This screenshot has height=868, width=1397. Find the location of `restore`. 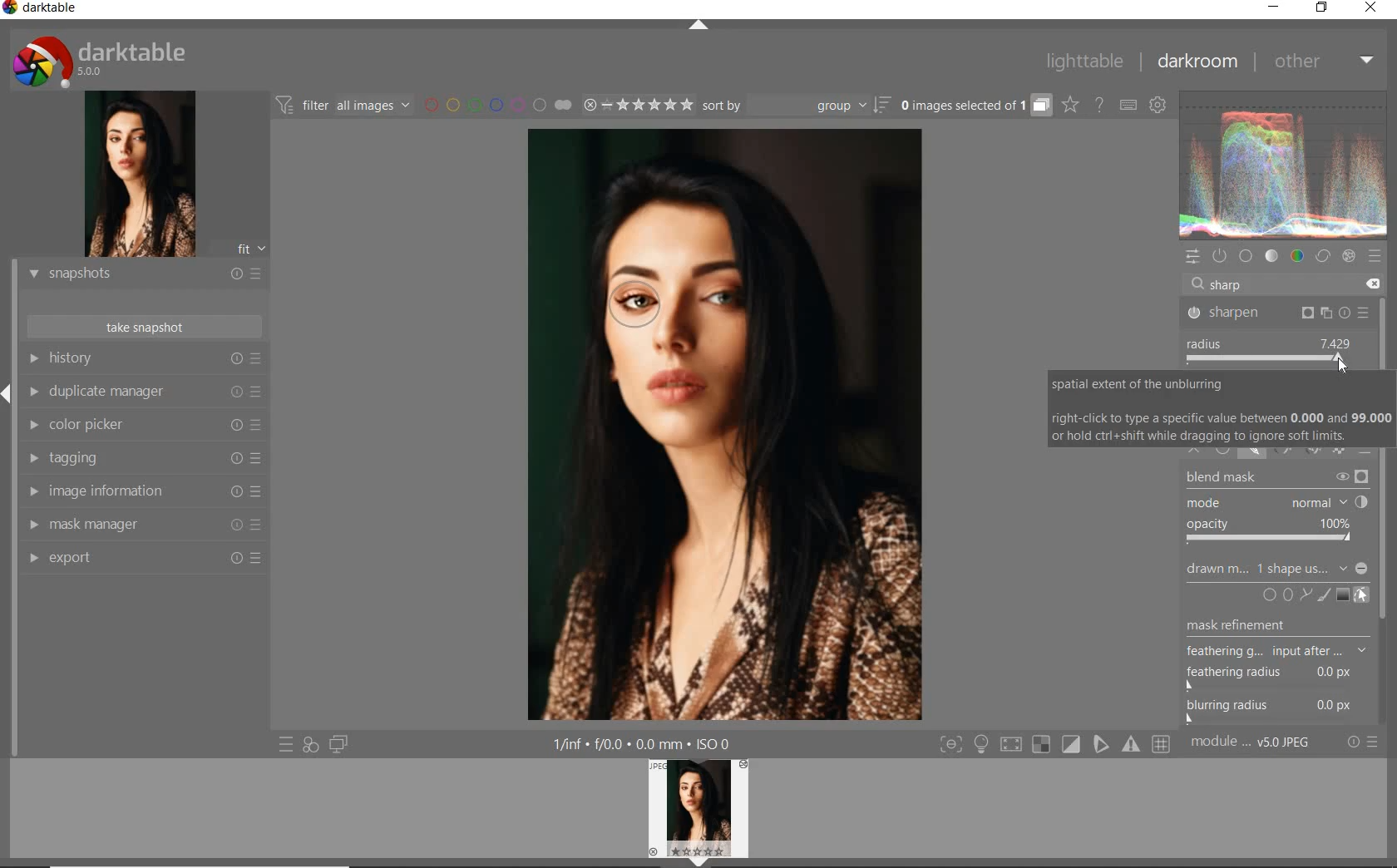

restore is located at coordinates (1323, 10).